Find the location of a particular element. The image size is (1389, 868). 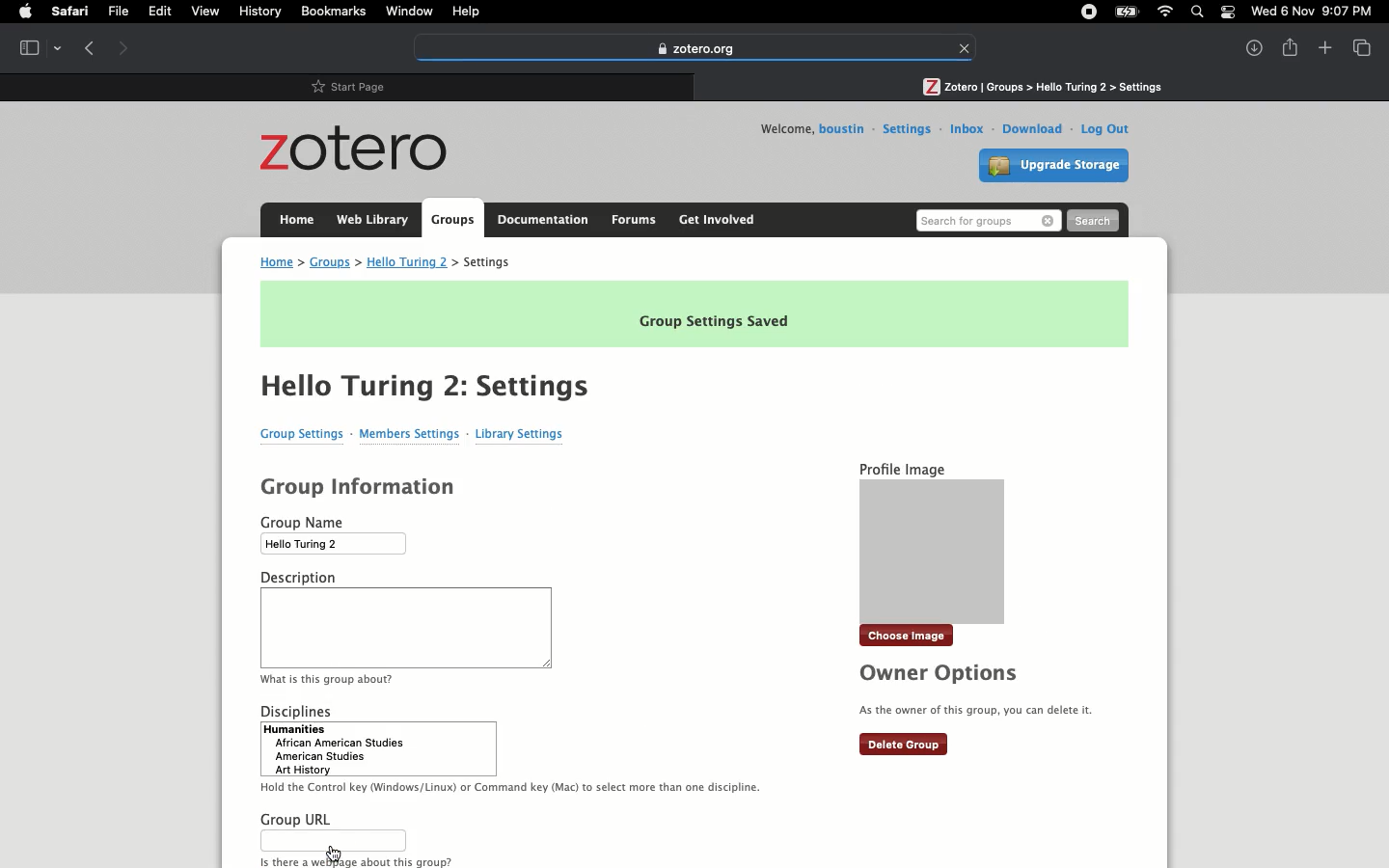

Log out is located at coordinates (1103, 128).